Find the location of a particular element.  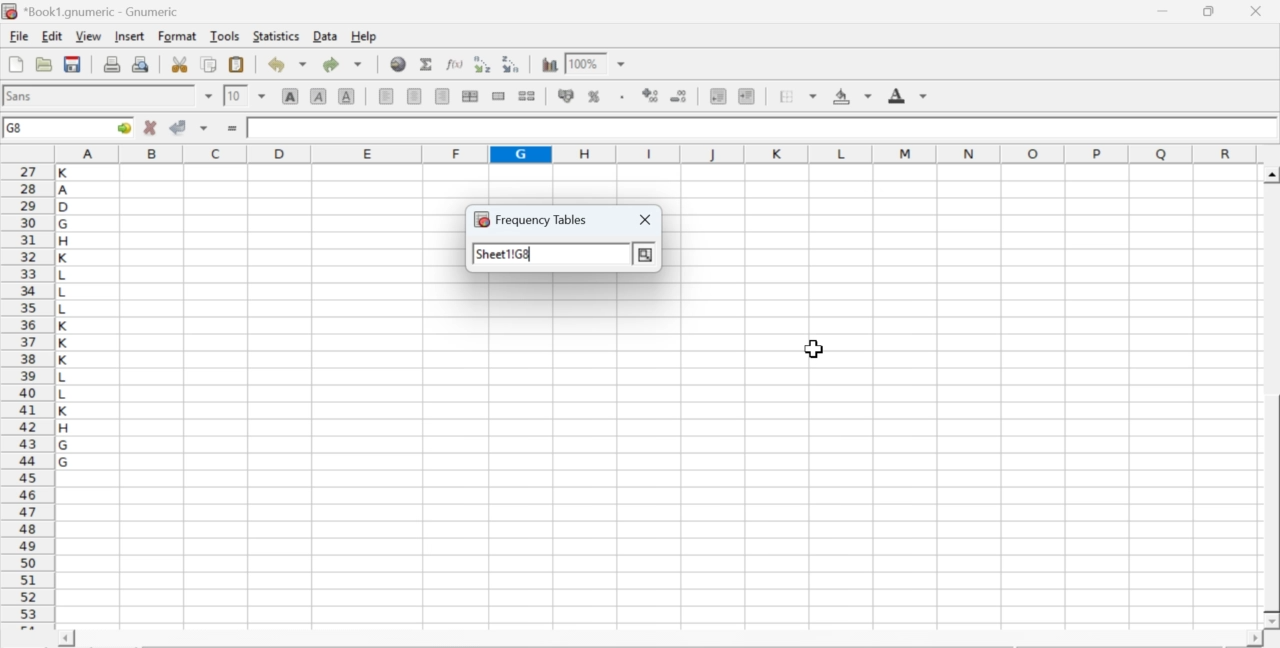

cursor is located at coordinates (811, 347).